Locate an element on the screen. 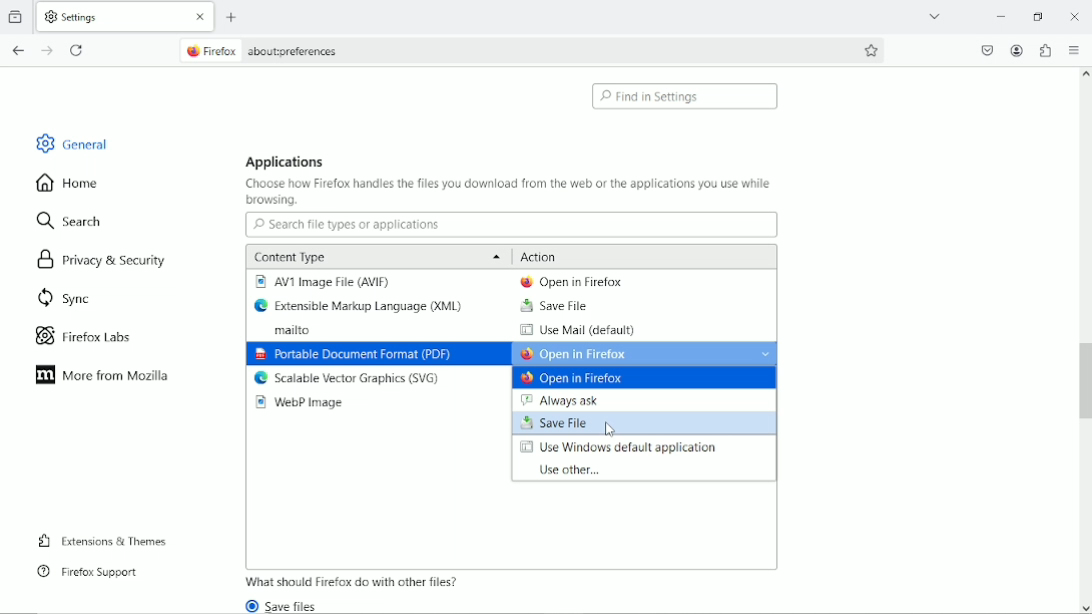 This screenshot has width=1092, height=614. Extensible Markup Language is located at coordinates (363, 306).